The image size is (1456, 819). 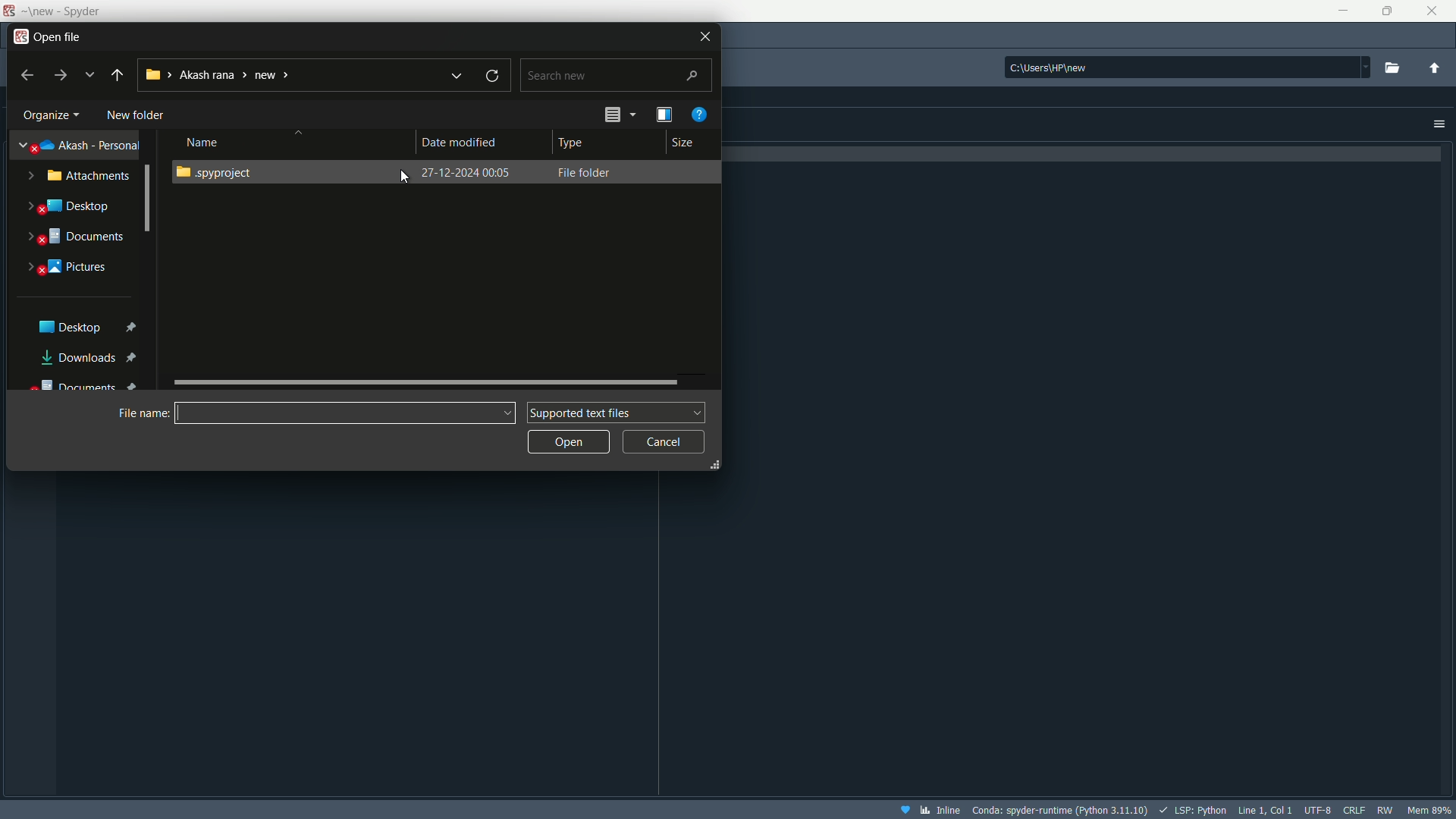 What do you see at coordinates (1394, 68) in the screenshot?
I see `browse a working directory` at bounding box center [1394, 68].